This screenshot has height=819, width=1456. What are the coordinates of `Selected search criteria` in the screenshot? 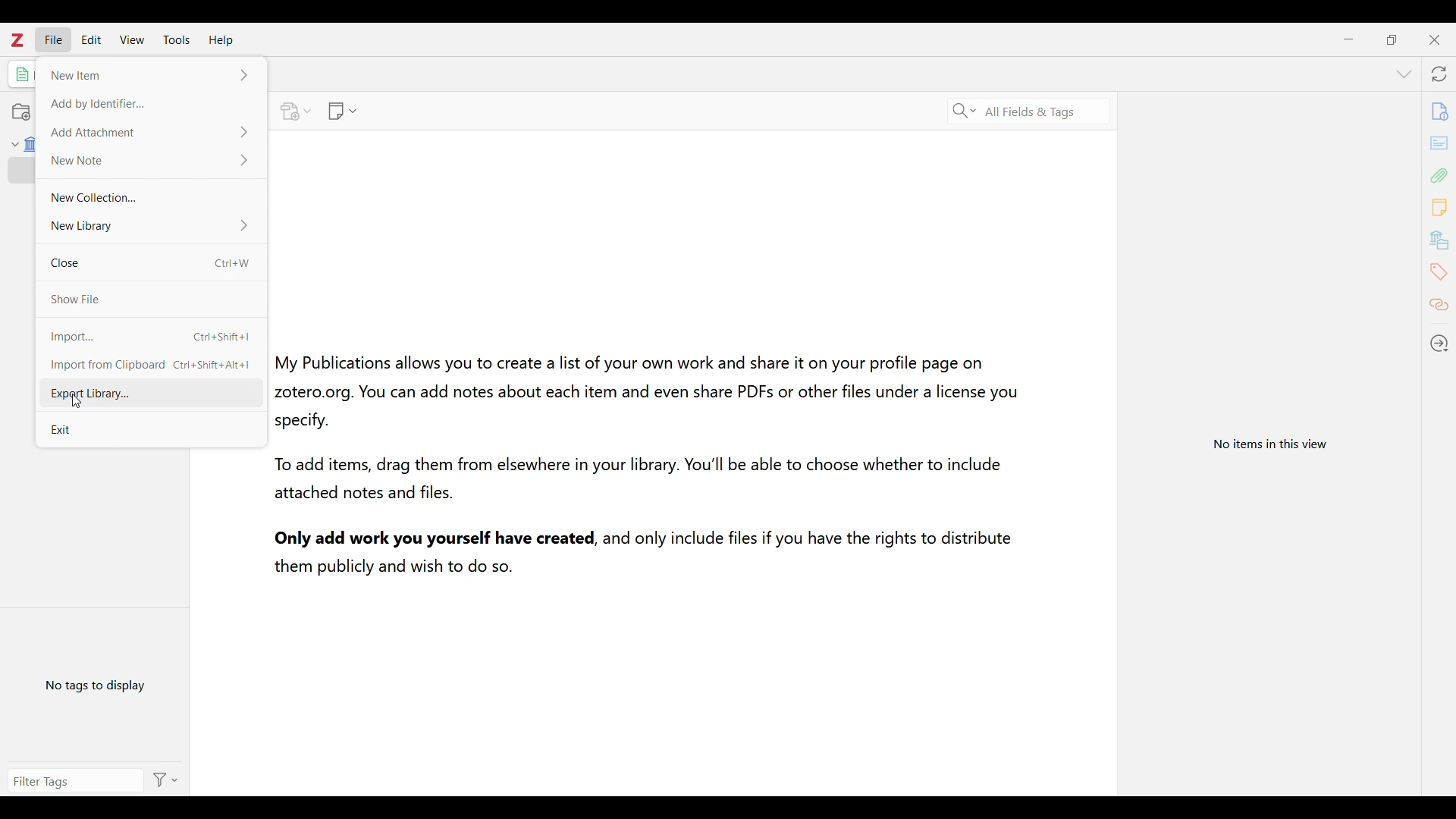 It's located at (1031, 112).